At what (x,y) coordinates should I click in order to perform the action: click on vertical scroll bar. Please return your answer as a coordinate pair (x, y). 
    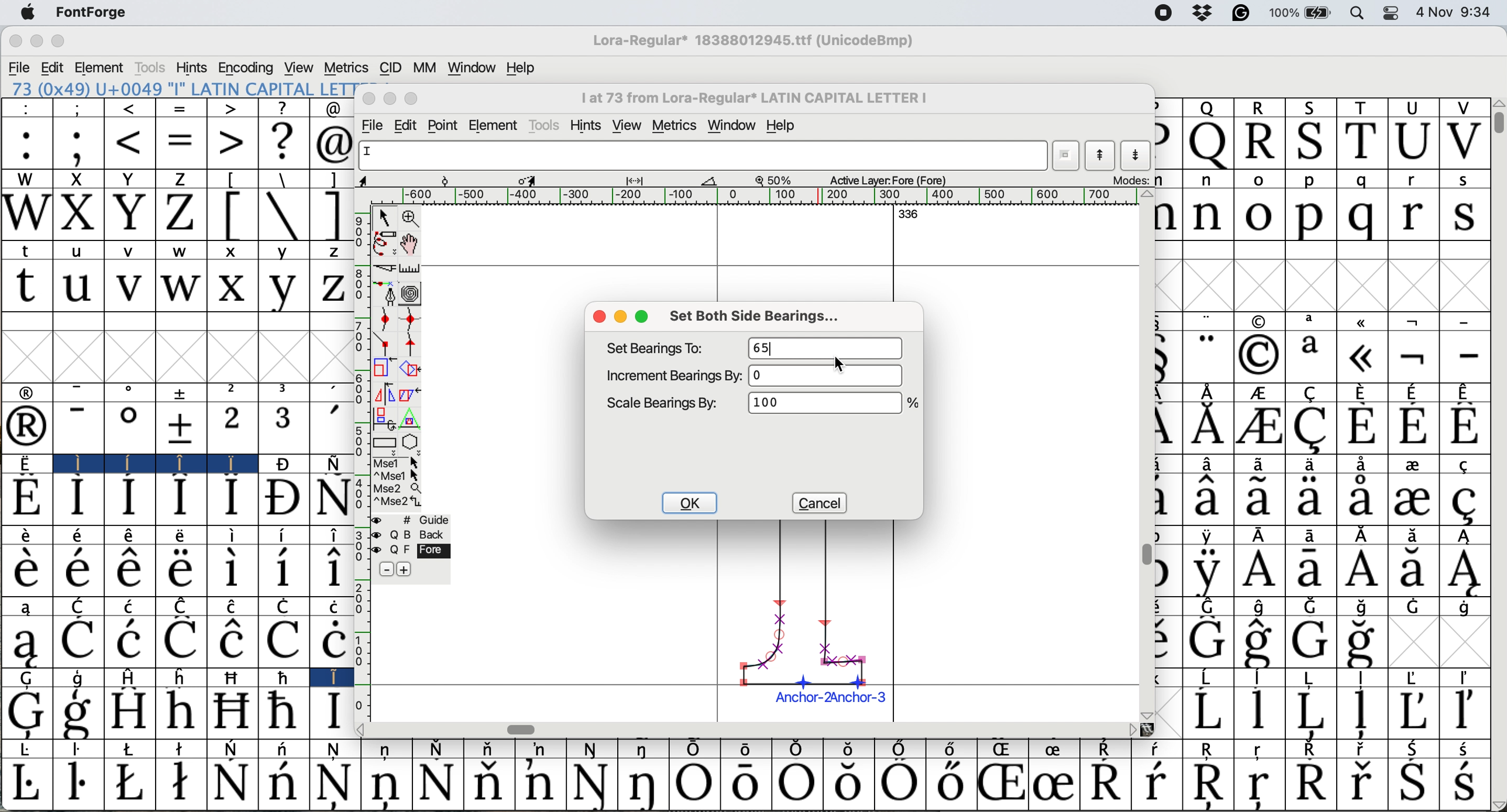
    Looking at the image, I should click on (1147, 553).